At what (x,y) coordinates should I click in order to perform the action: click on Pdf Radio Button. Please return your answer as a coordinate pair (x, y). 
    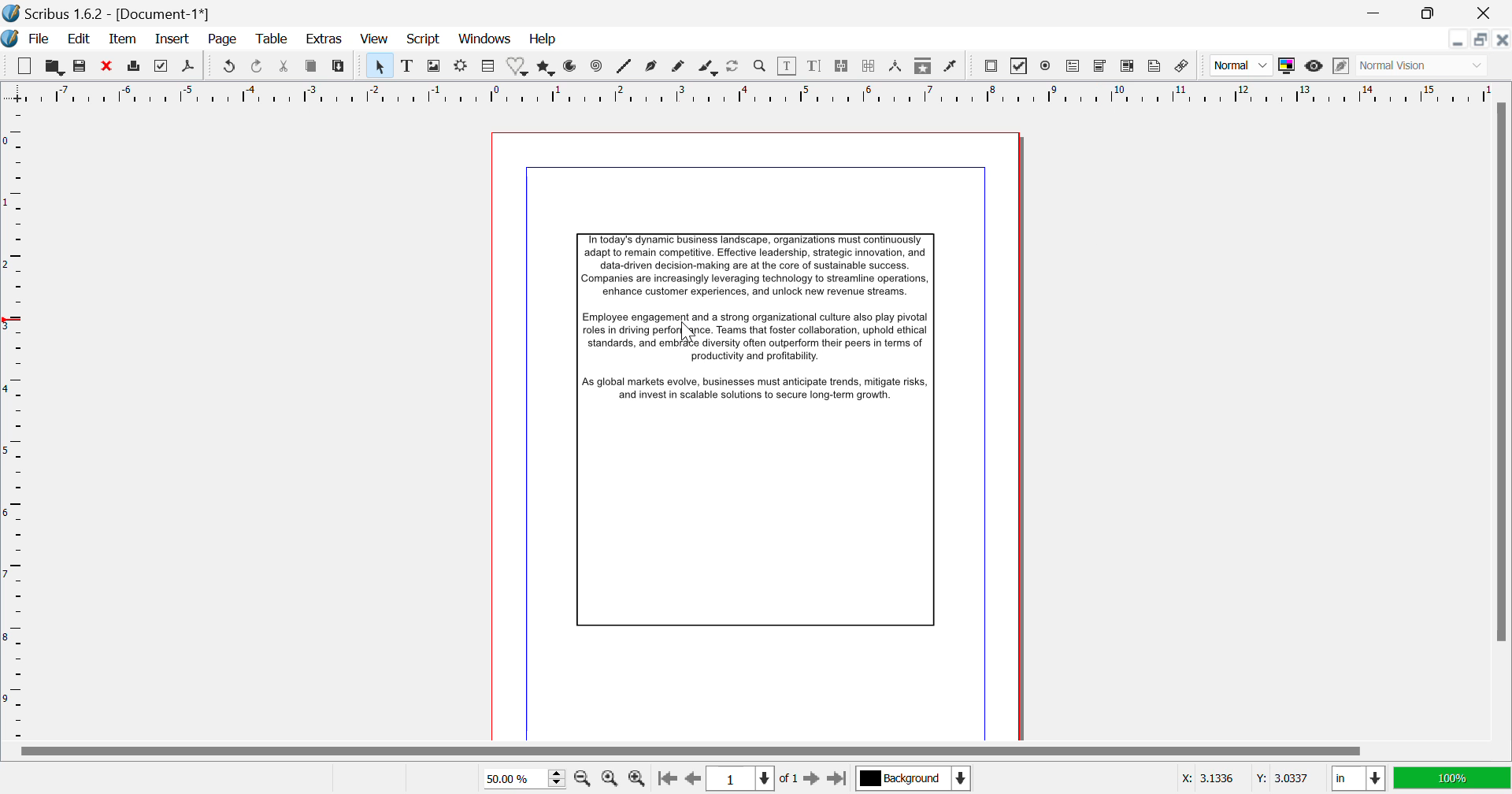
    Looking at the image, I should click on (1045, 66).